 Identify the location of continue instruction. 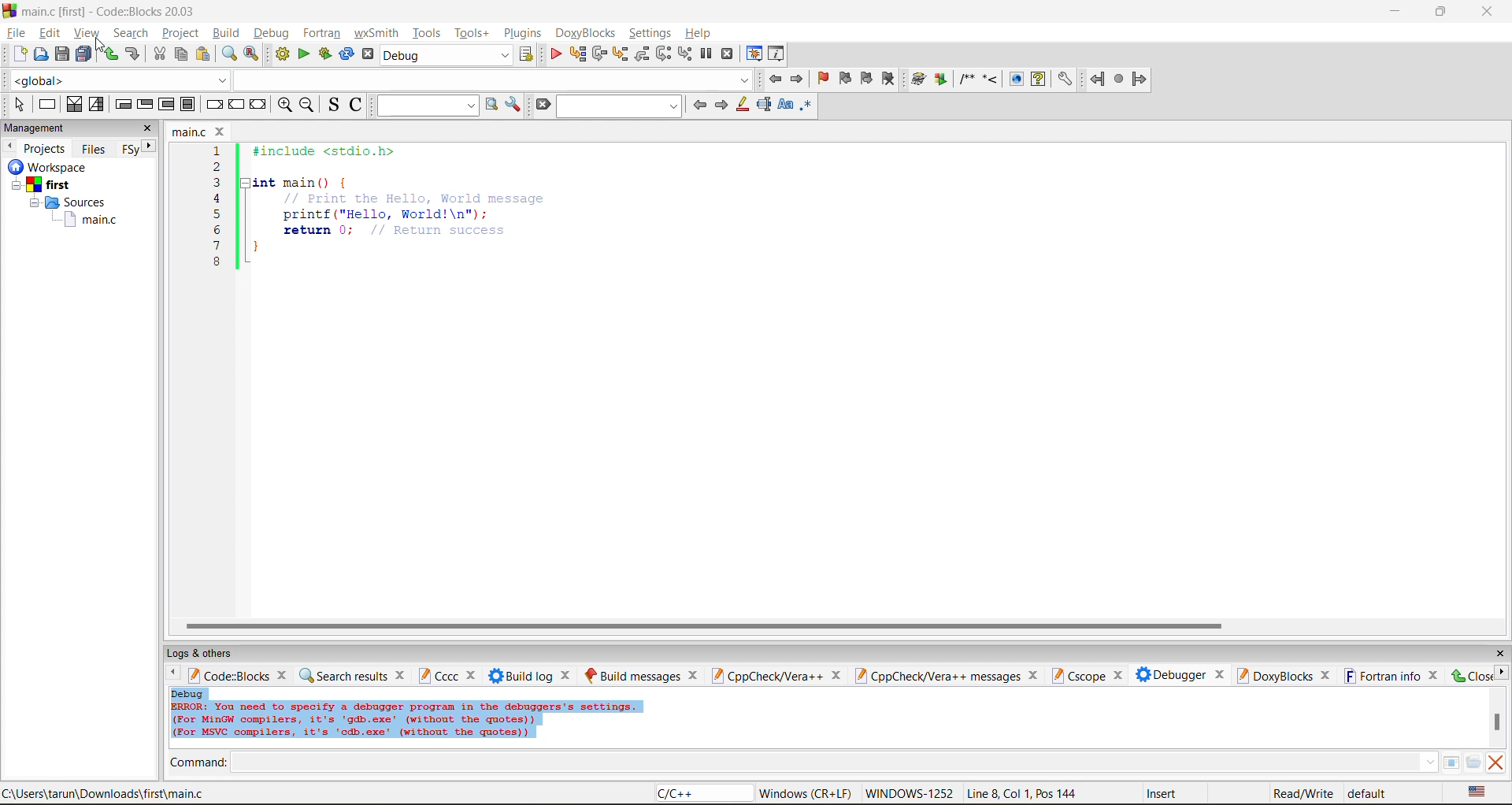
(236, 106).